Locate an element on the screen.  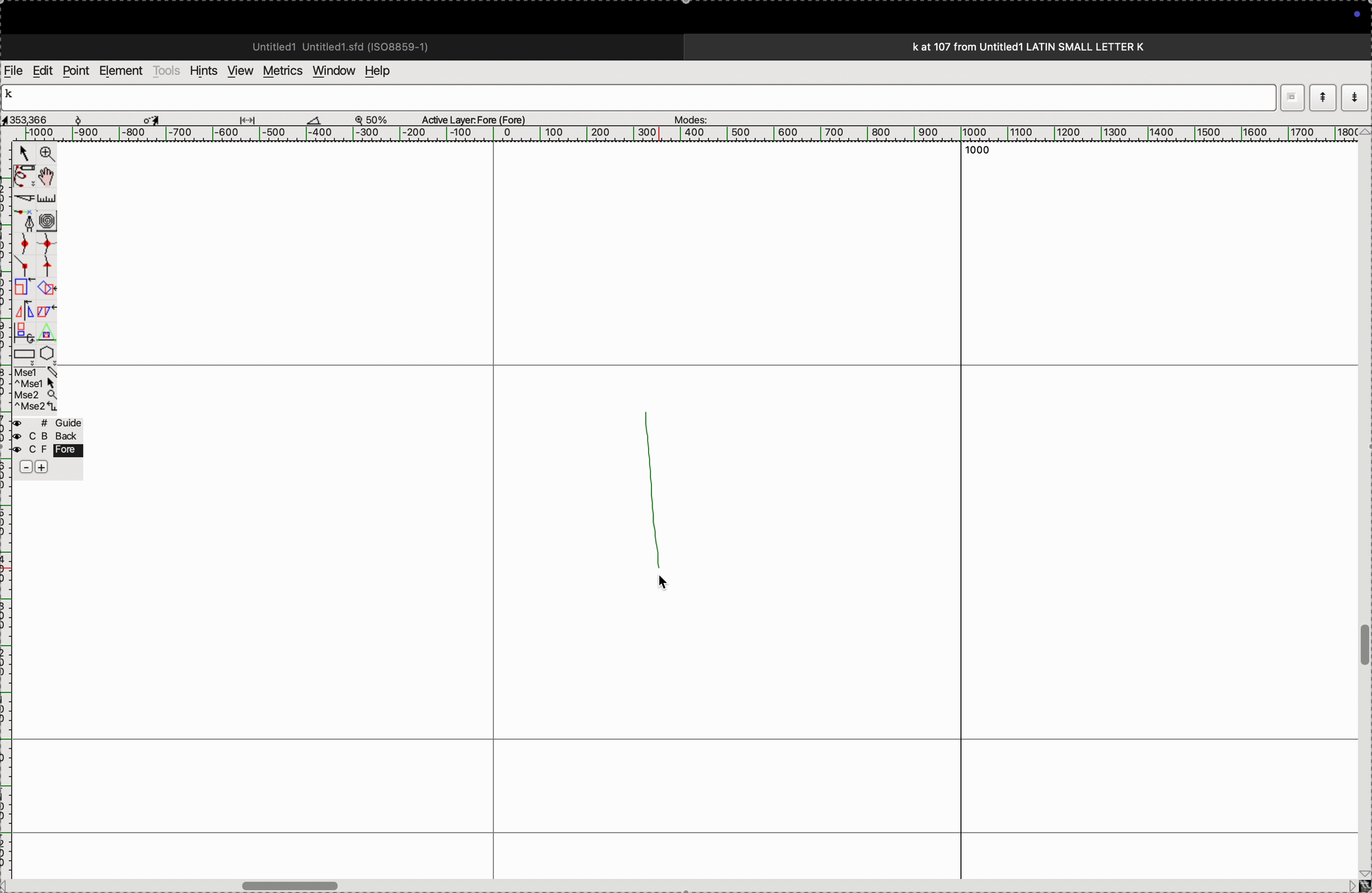
1000 is located at coordinates (971, 153).